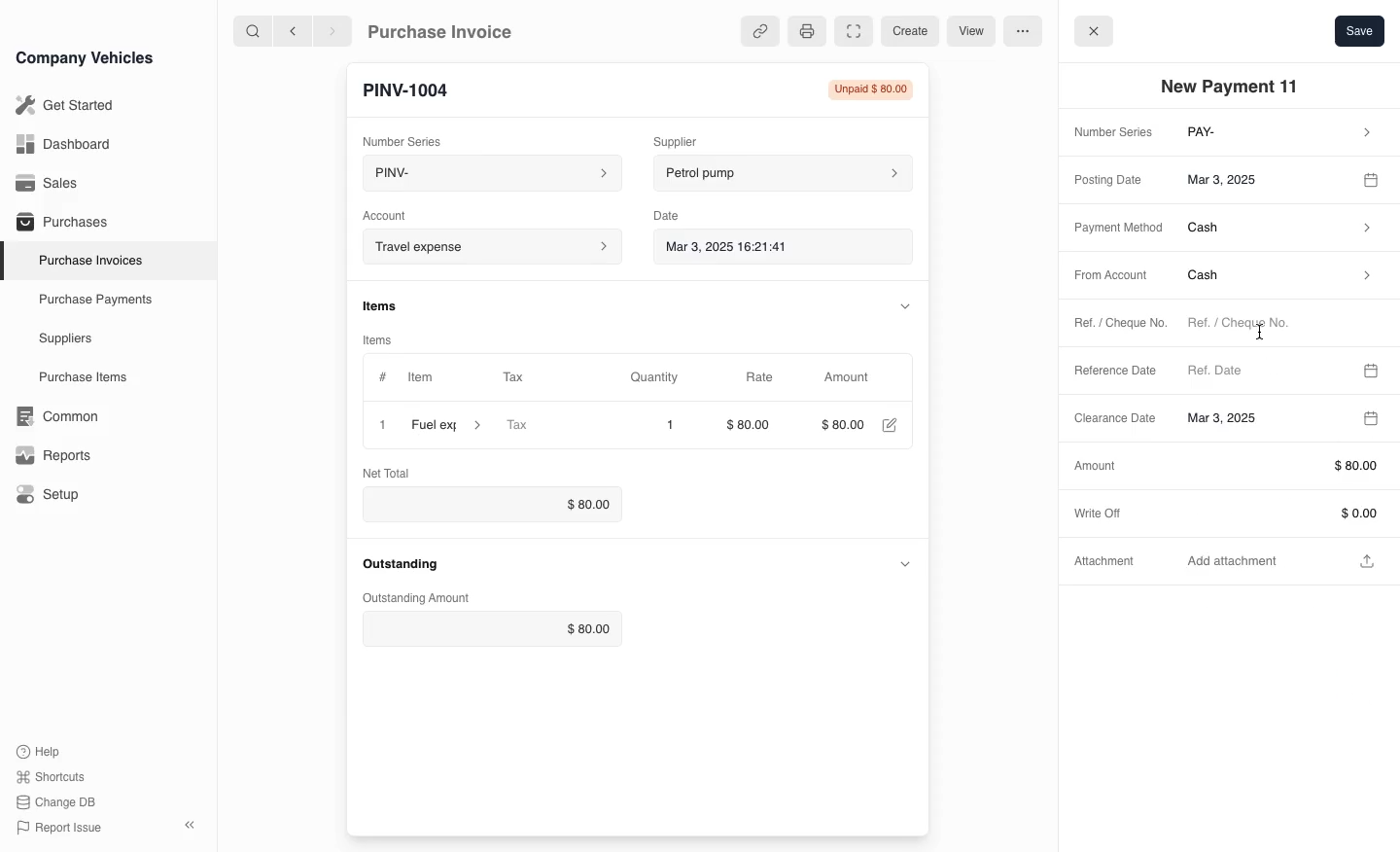 Image resolution: width=1400 pixels, height=852 pixels. I want to click on previous, so click(291, 30).